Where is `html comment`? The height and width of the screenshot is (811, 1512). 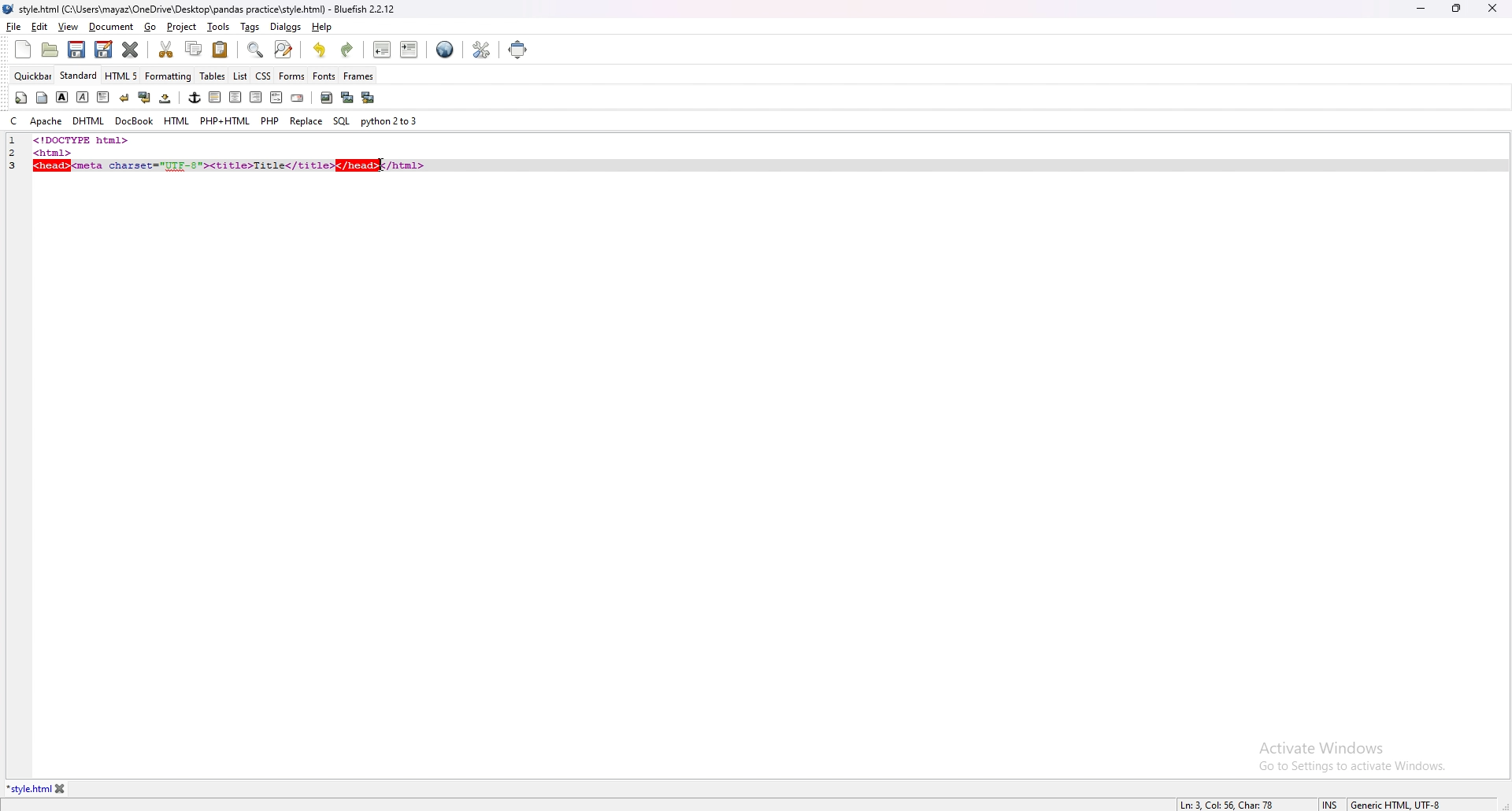
html comment is located at coordinates (276, 98).